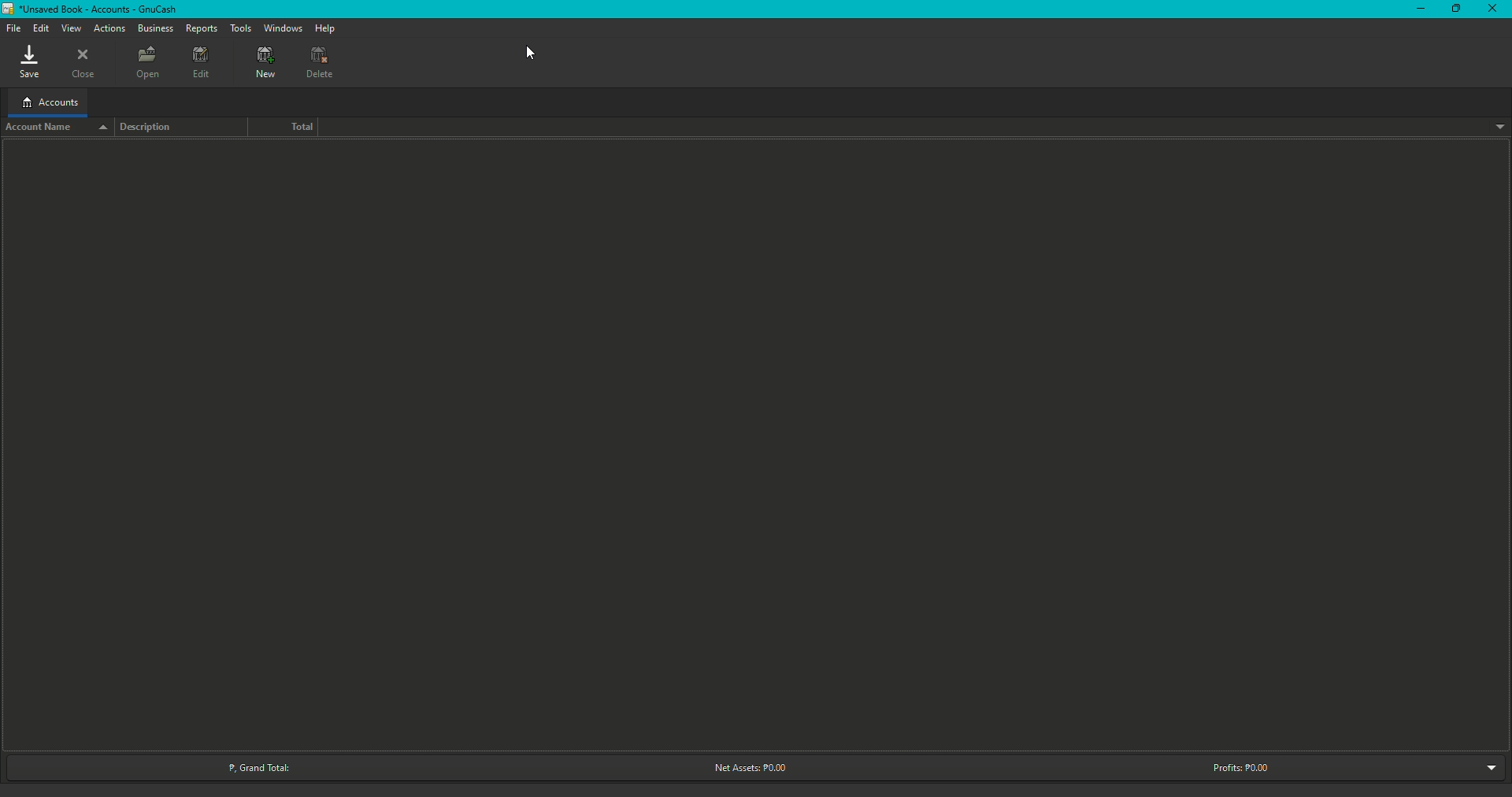 The width and height of the screenshot is (1512, 797). I want to click on Open, so click(150, 61).